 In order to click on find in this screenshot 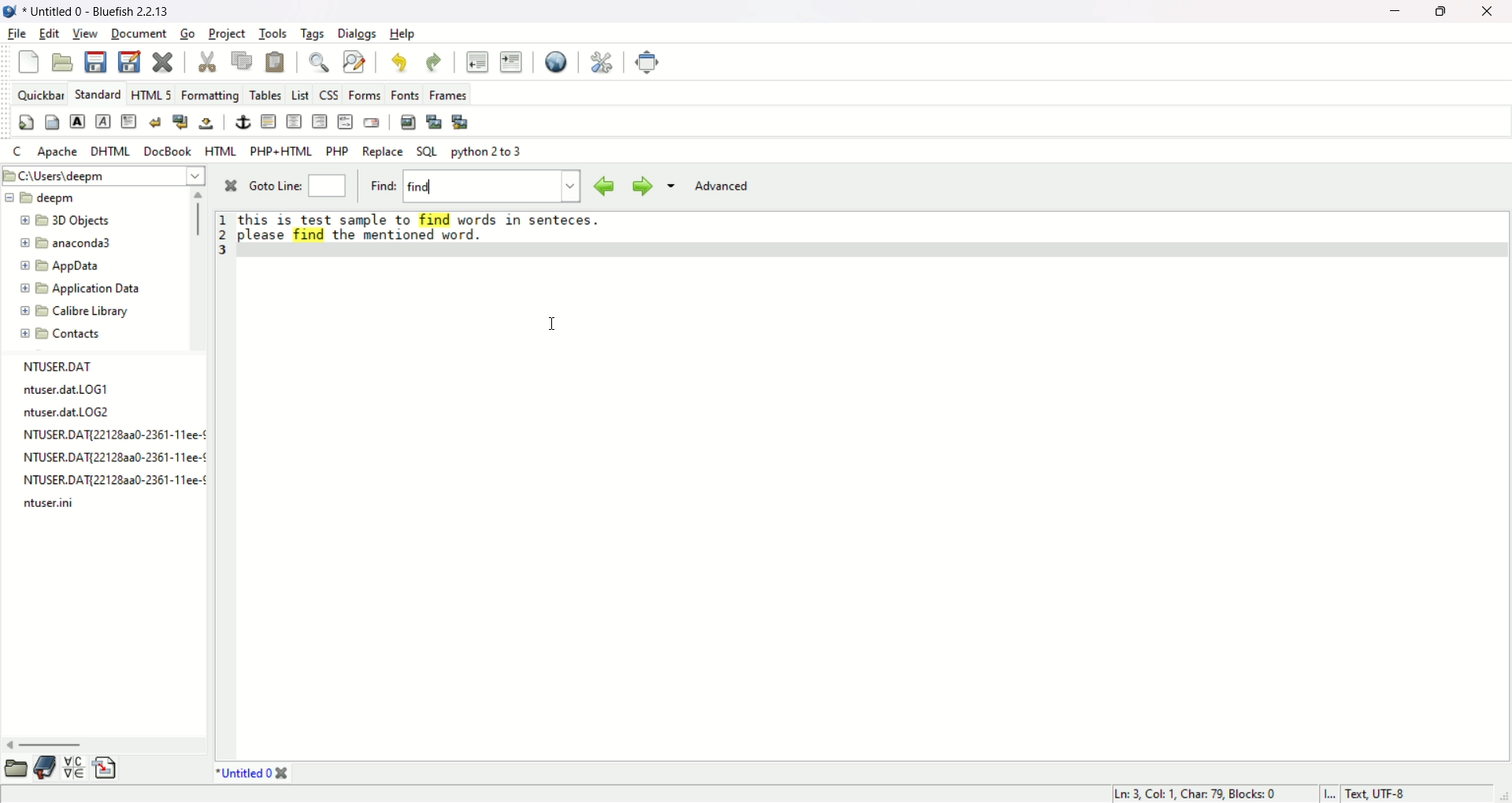, I will do `click(382, 186)`.